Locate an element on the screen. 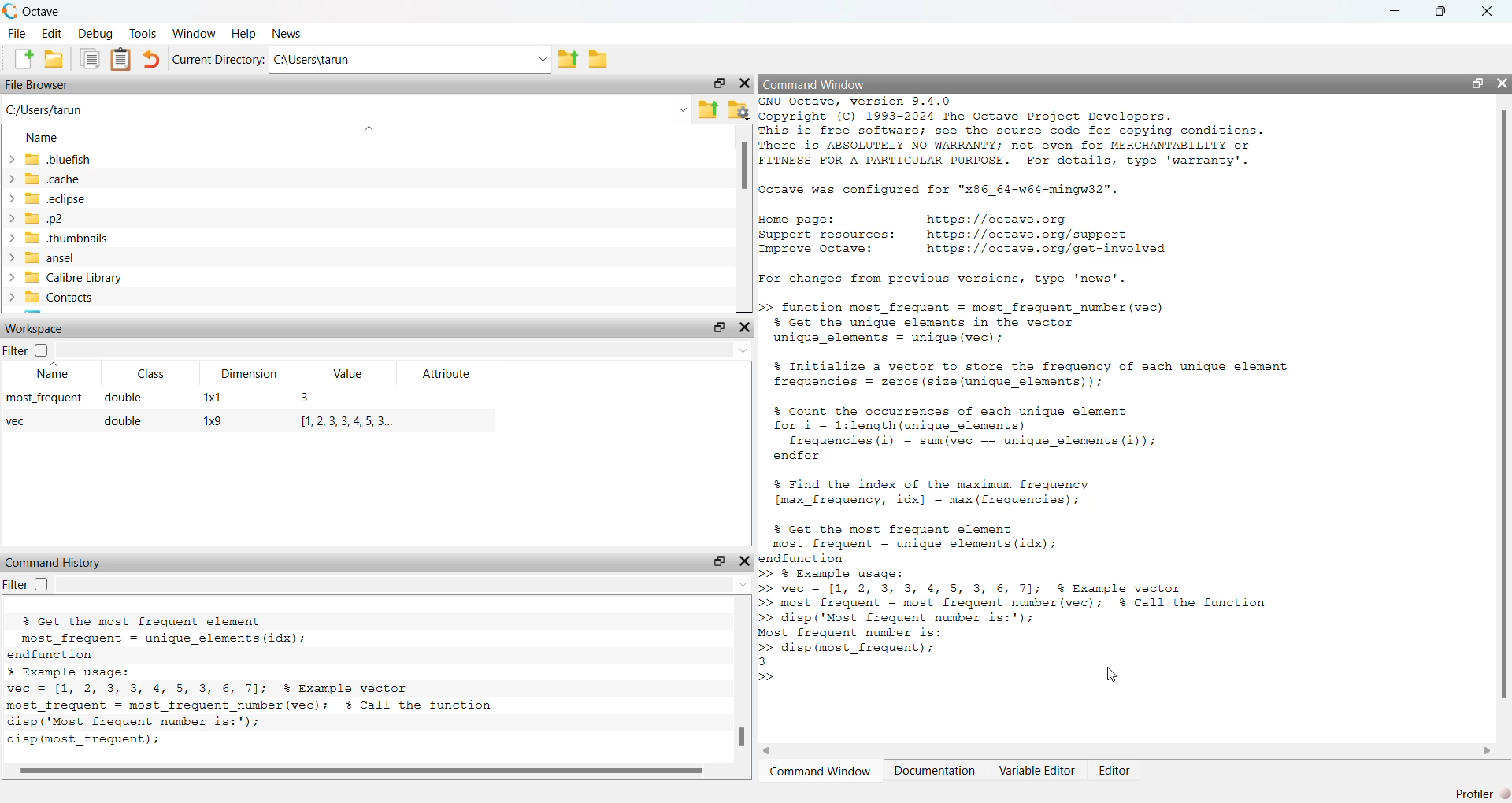 The width and height of the screenshot is (1512, 803). One directory up is located at coordinates (707, 109).